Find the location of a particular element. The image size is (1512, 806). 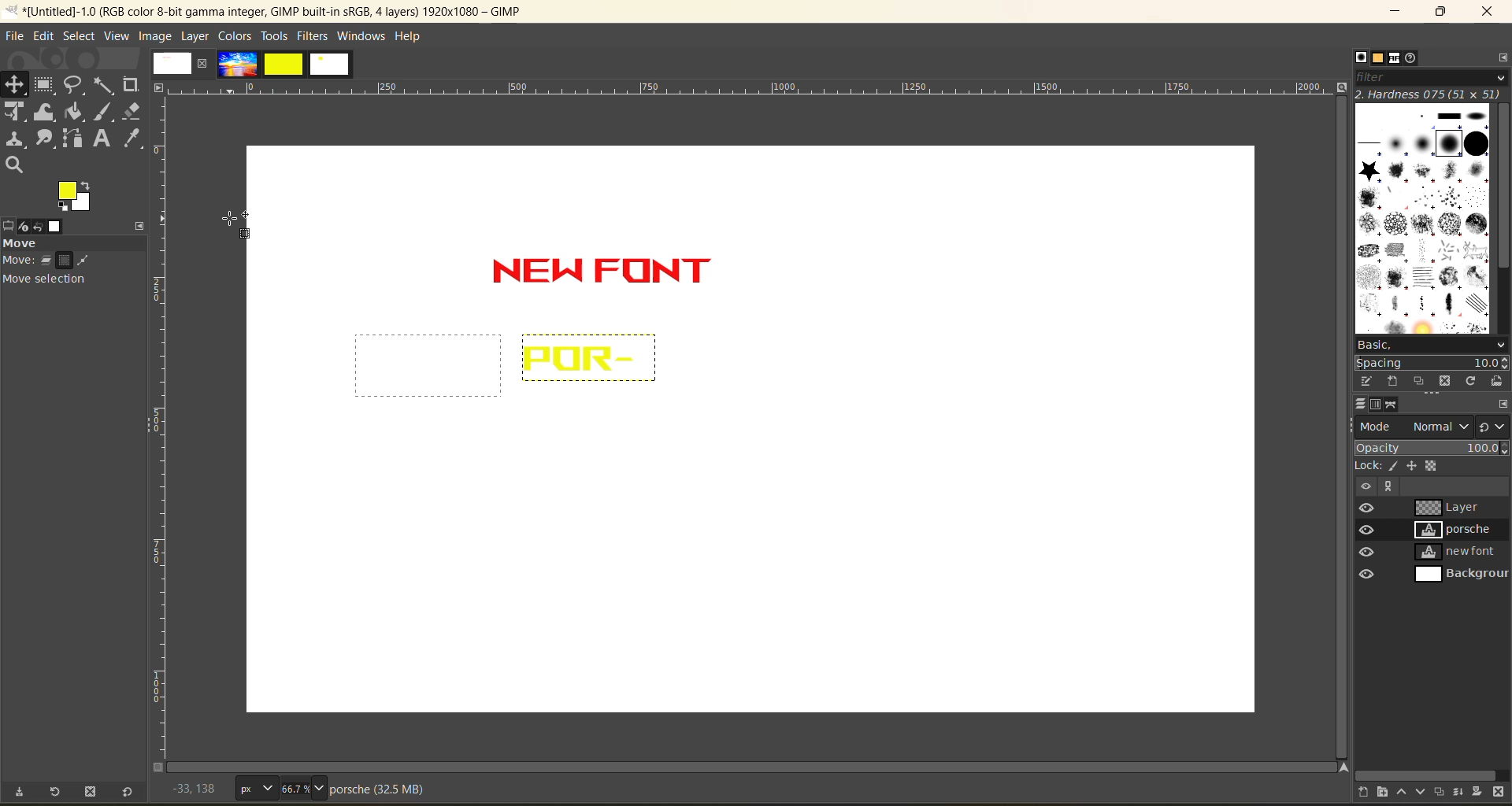

horizontal scroll bar is located at coordinates (1427, 772).